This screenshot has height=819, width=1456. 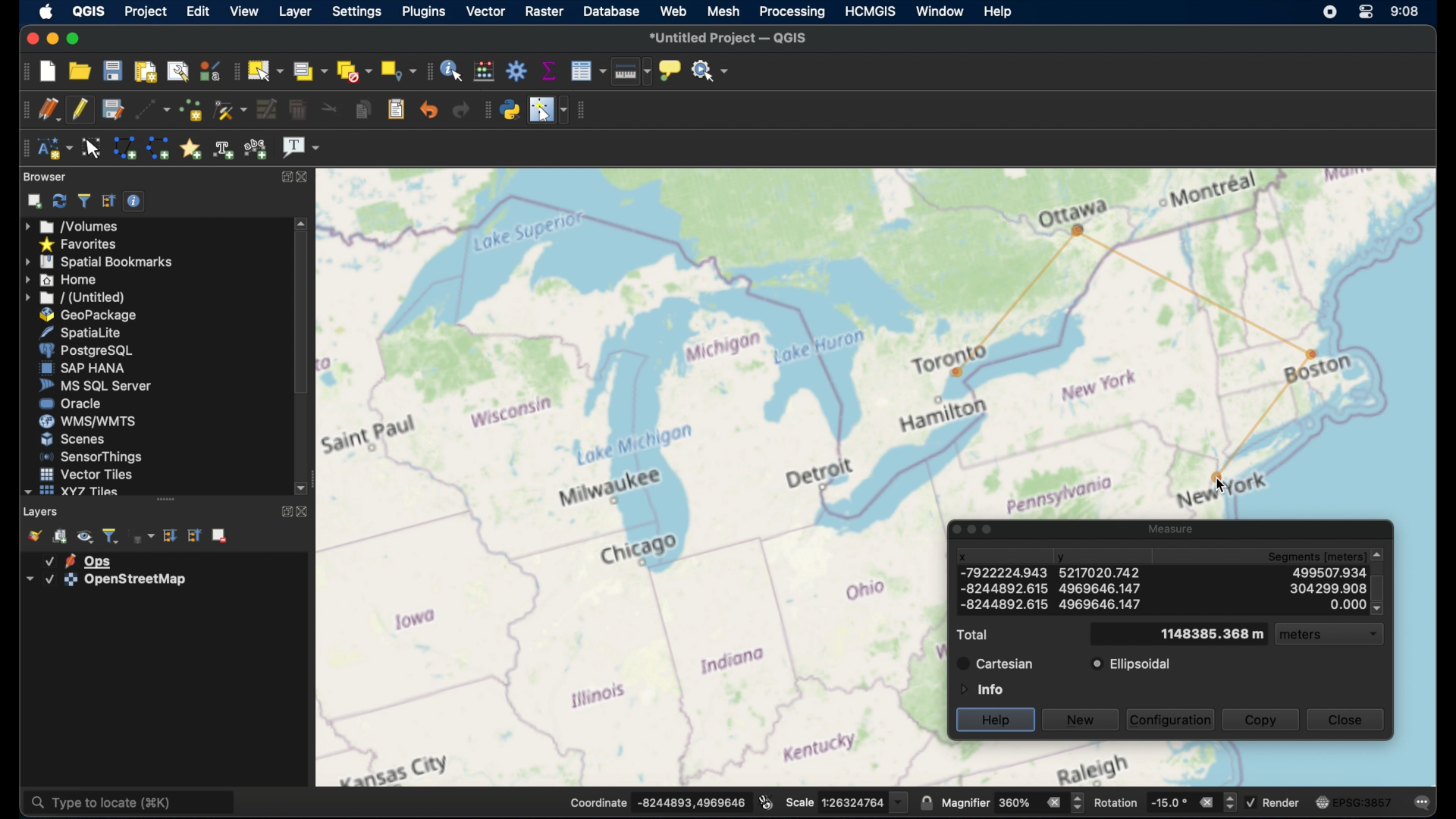 I want to click on modify annotations, so click(x=93, y=147).